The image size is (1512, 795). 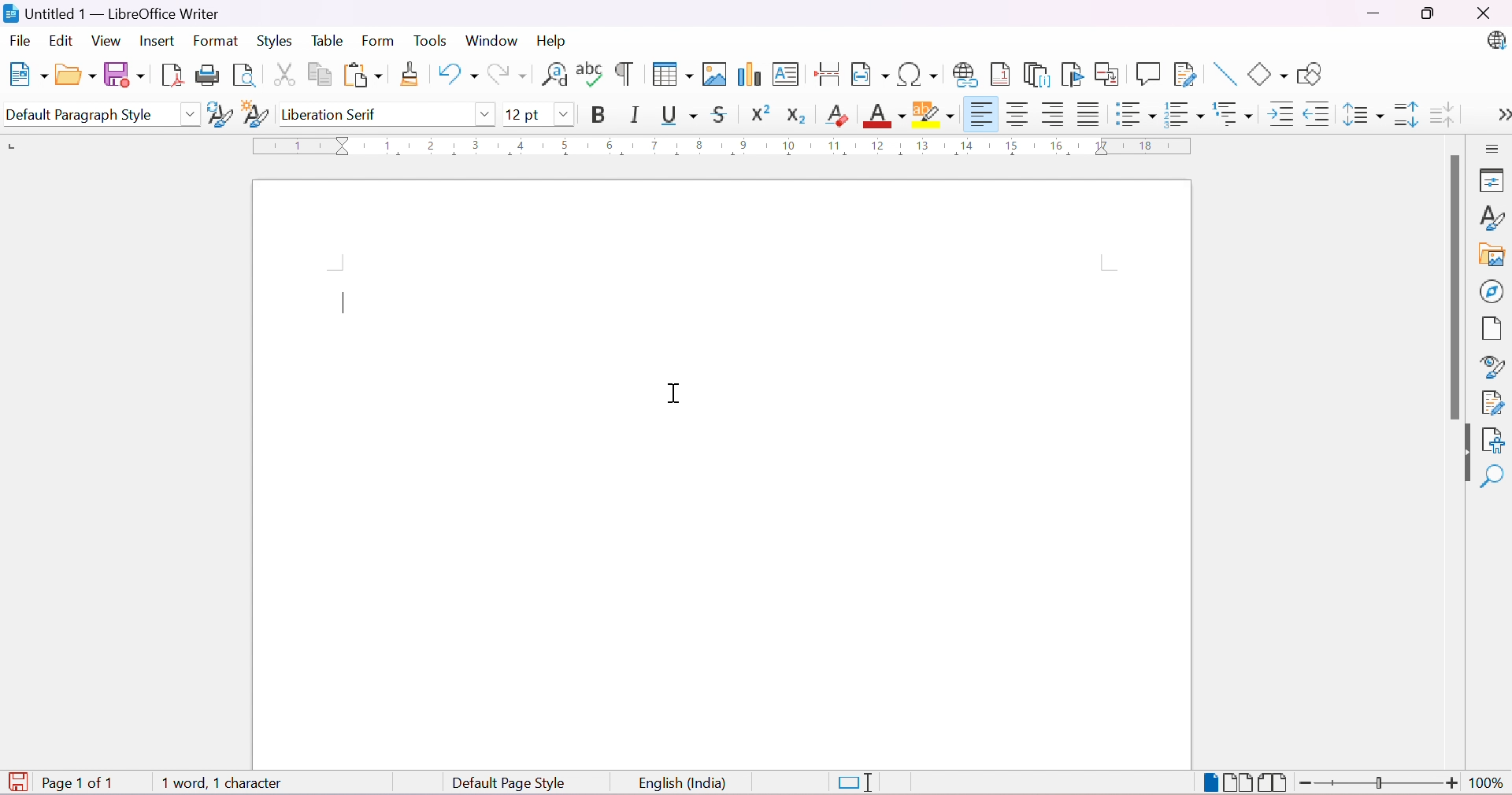 I want to click on Liberation Serif, so click(x=332, y=116).